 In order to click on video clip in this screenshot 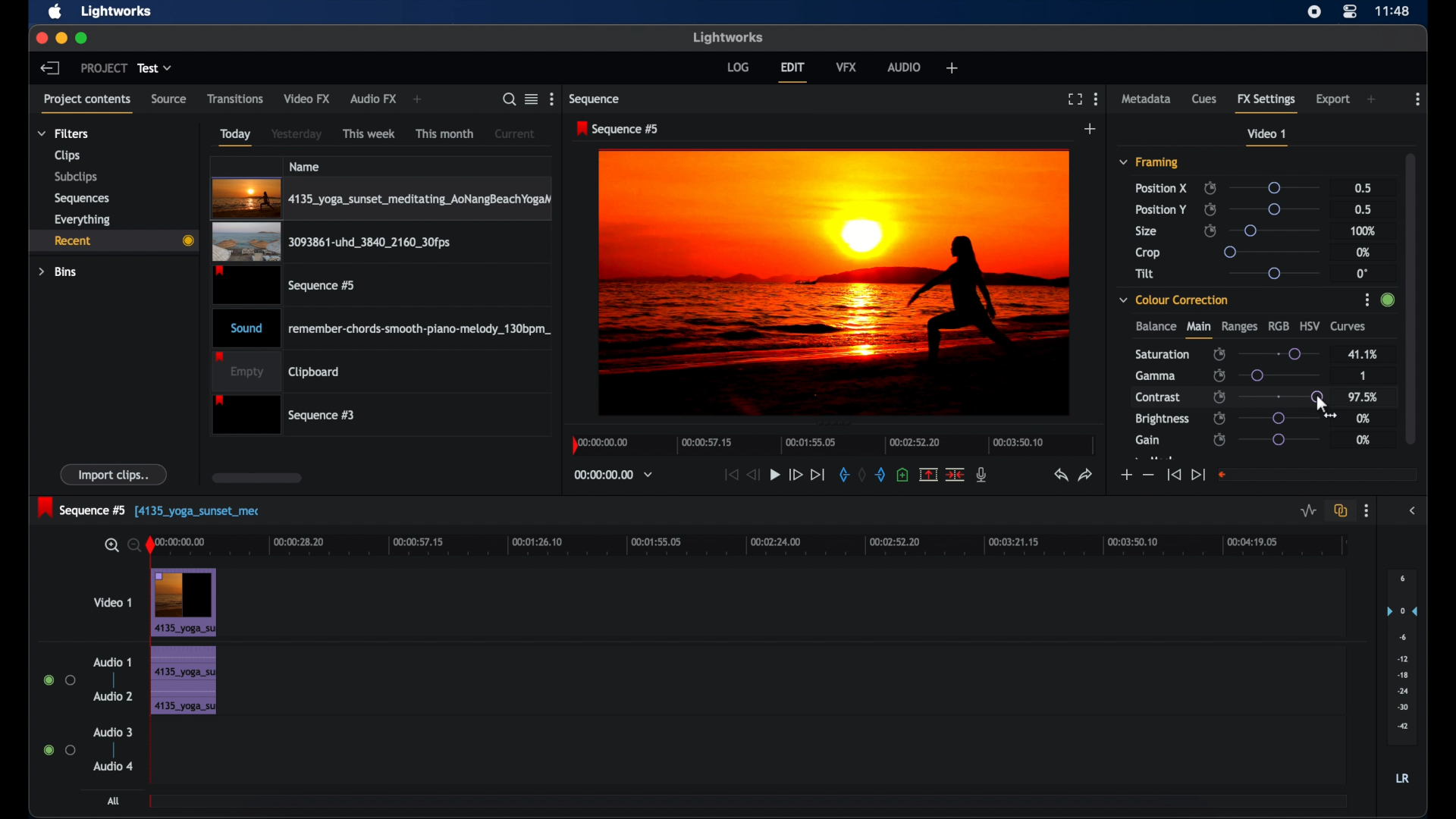, I will do `click(286, 285)`.